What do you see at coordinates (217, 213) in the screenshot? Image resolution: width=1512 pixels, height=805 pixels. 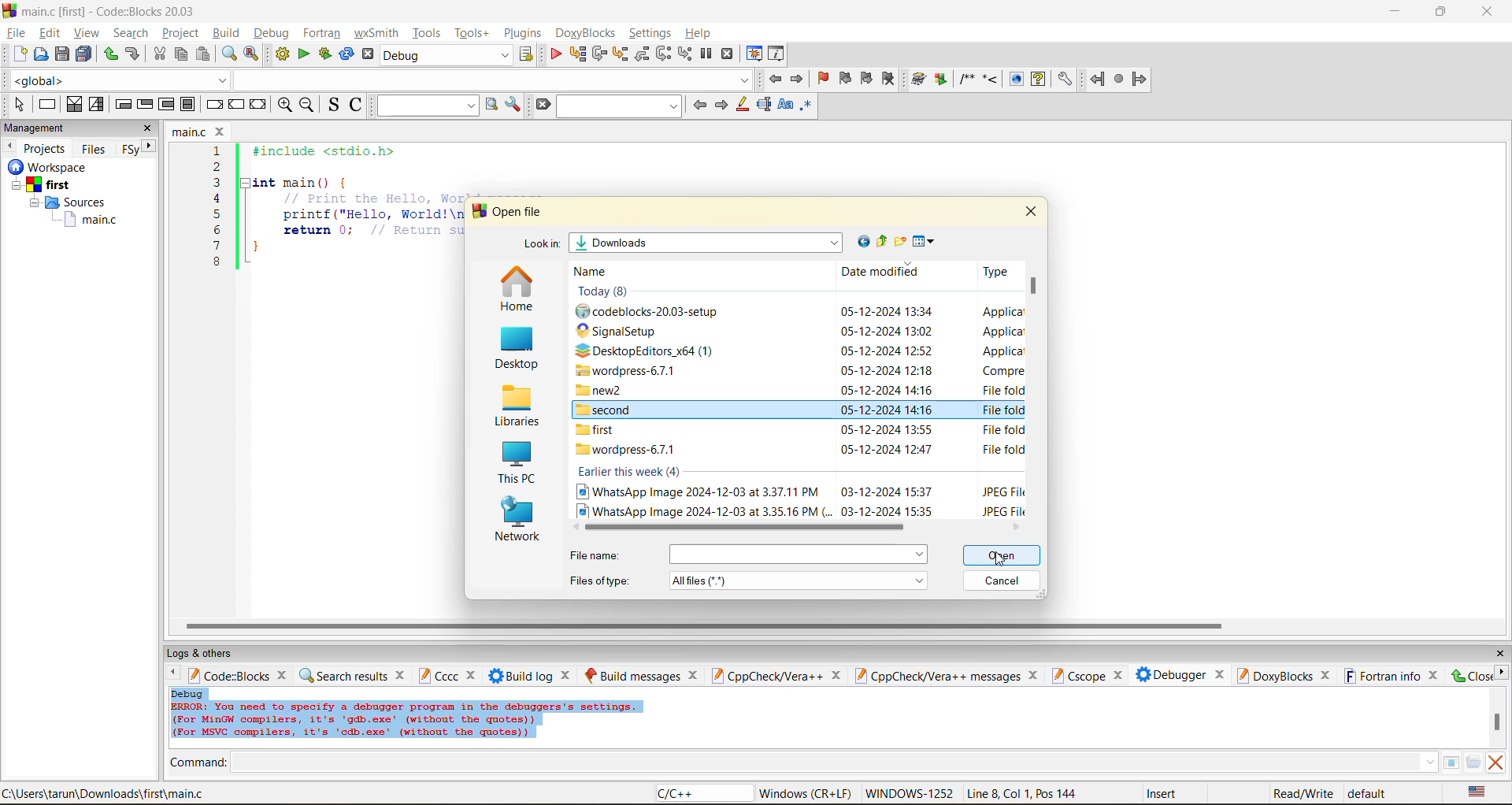 I see `5` at bounding box center [217, 213].